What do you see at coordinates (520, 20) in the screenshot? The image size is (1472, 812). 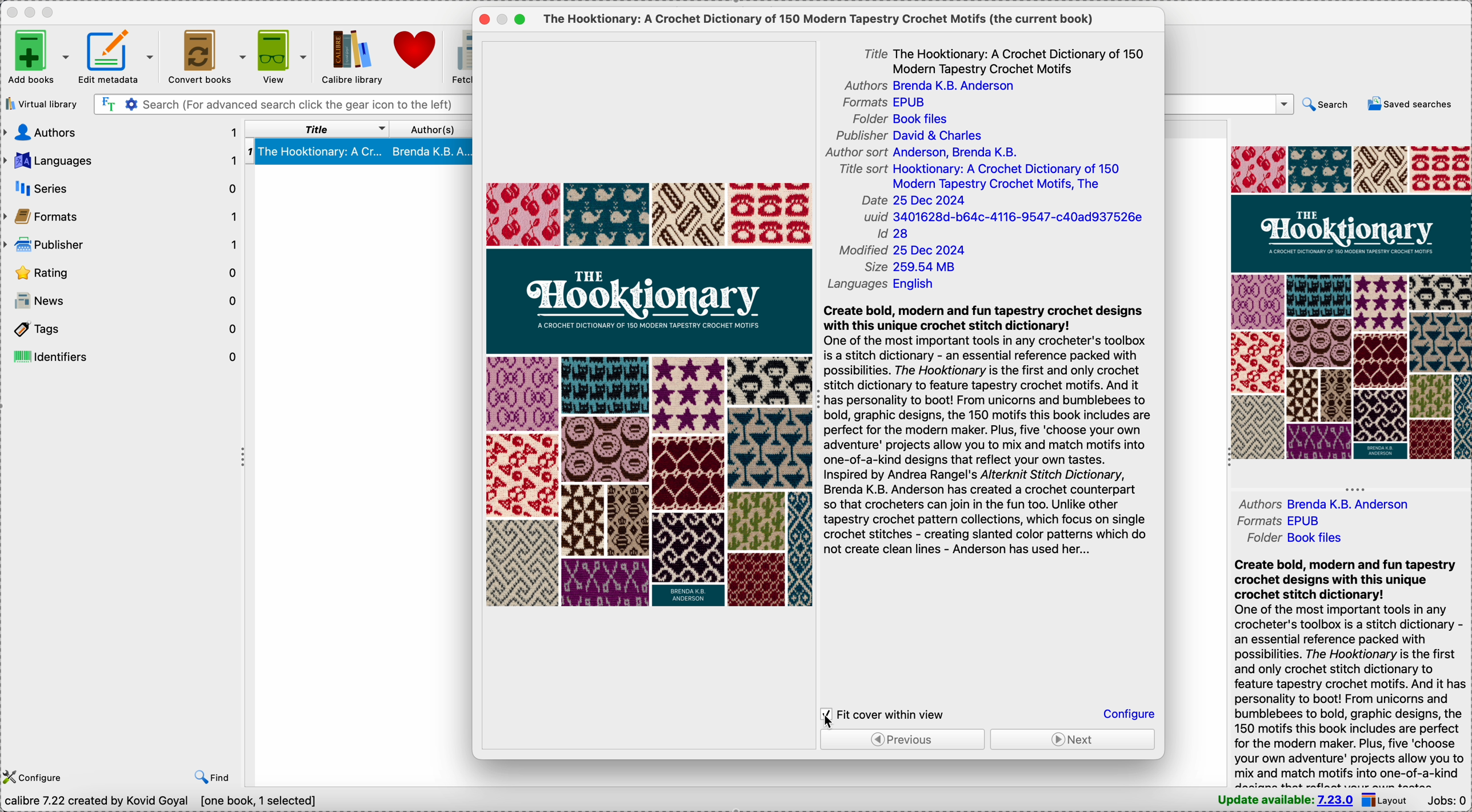 I see `maximize popup` at bounding box center [520, 20].